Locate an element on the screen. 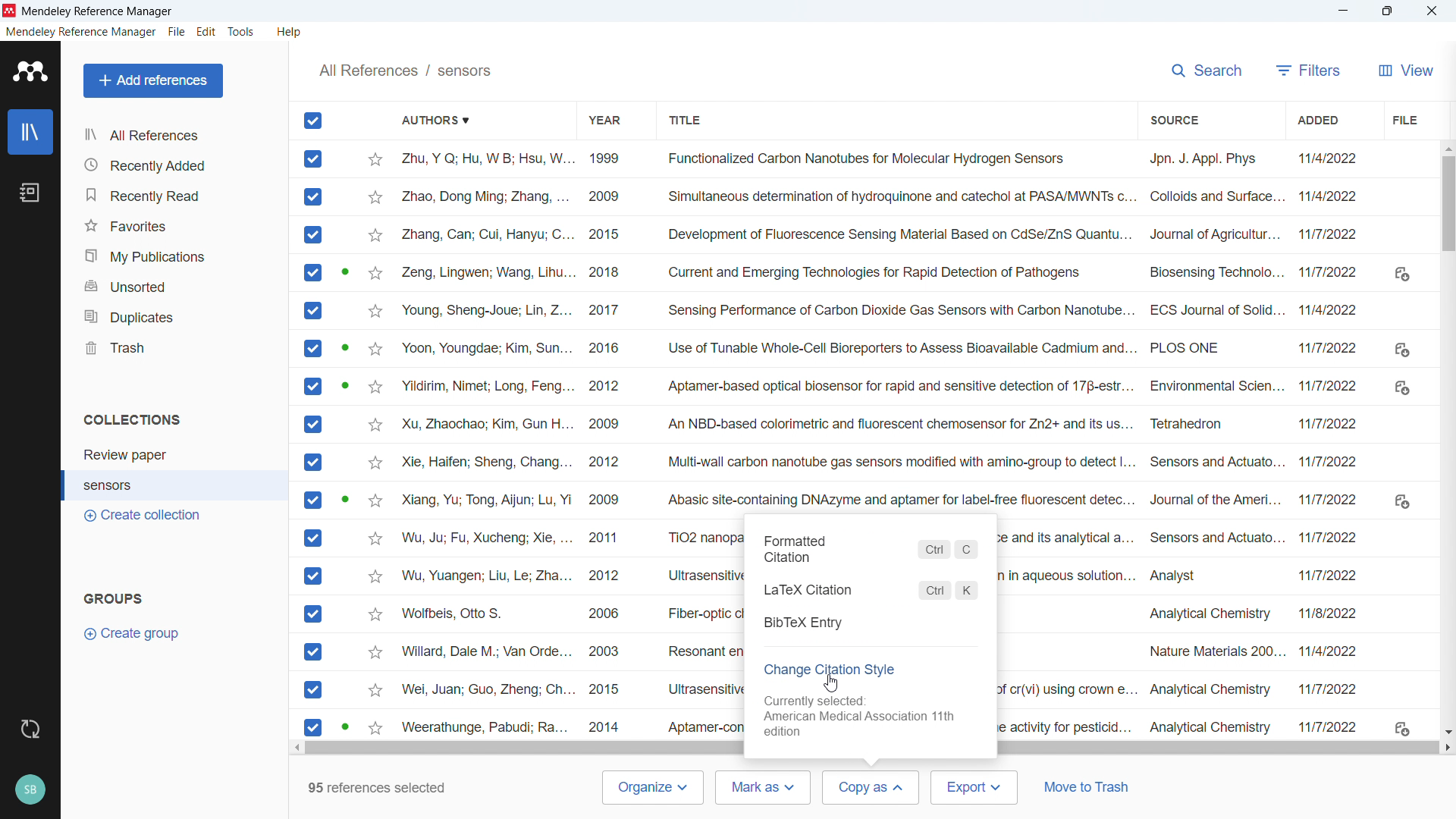  Horizontal scroll bar is located at coordinates (869, 748).